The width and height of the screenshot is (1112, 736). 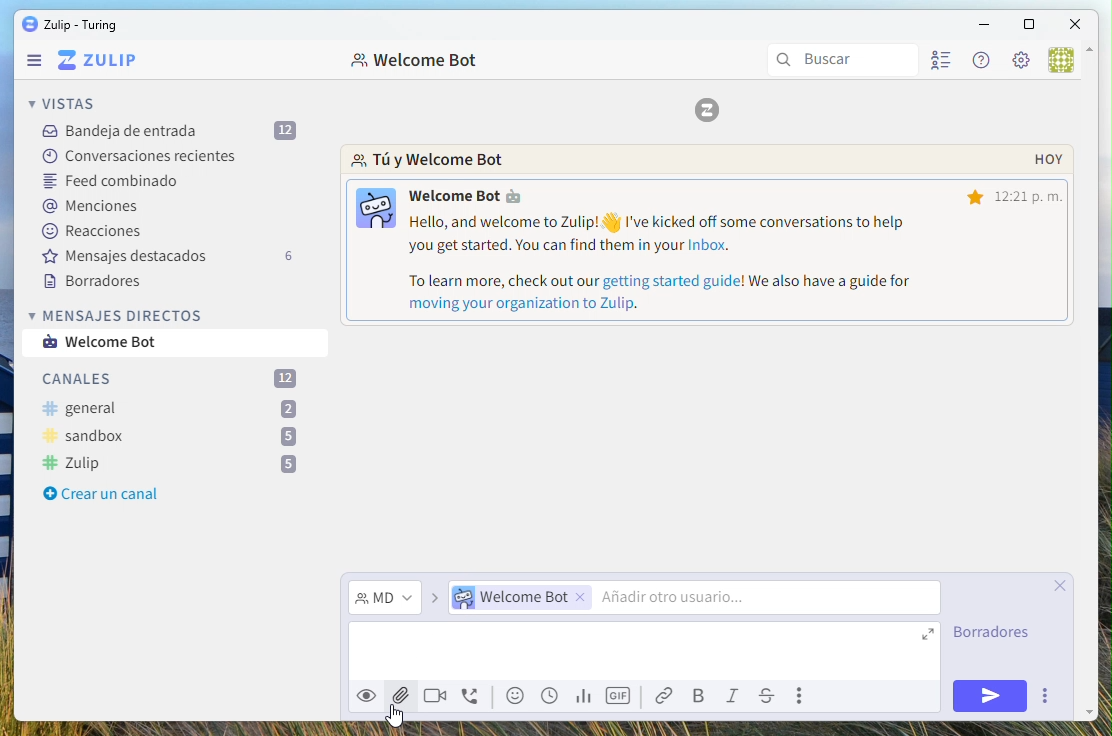 I want to click on Gif, so click(x=620, y=696).